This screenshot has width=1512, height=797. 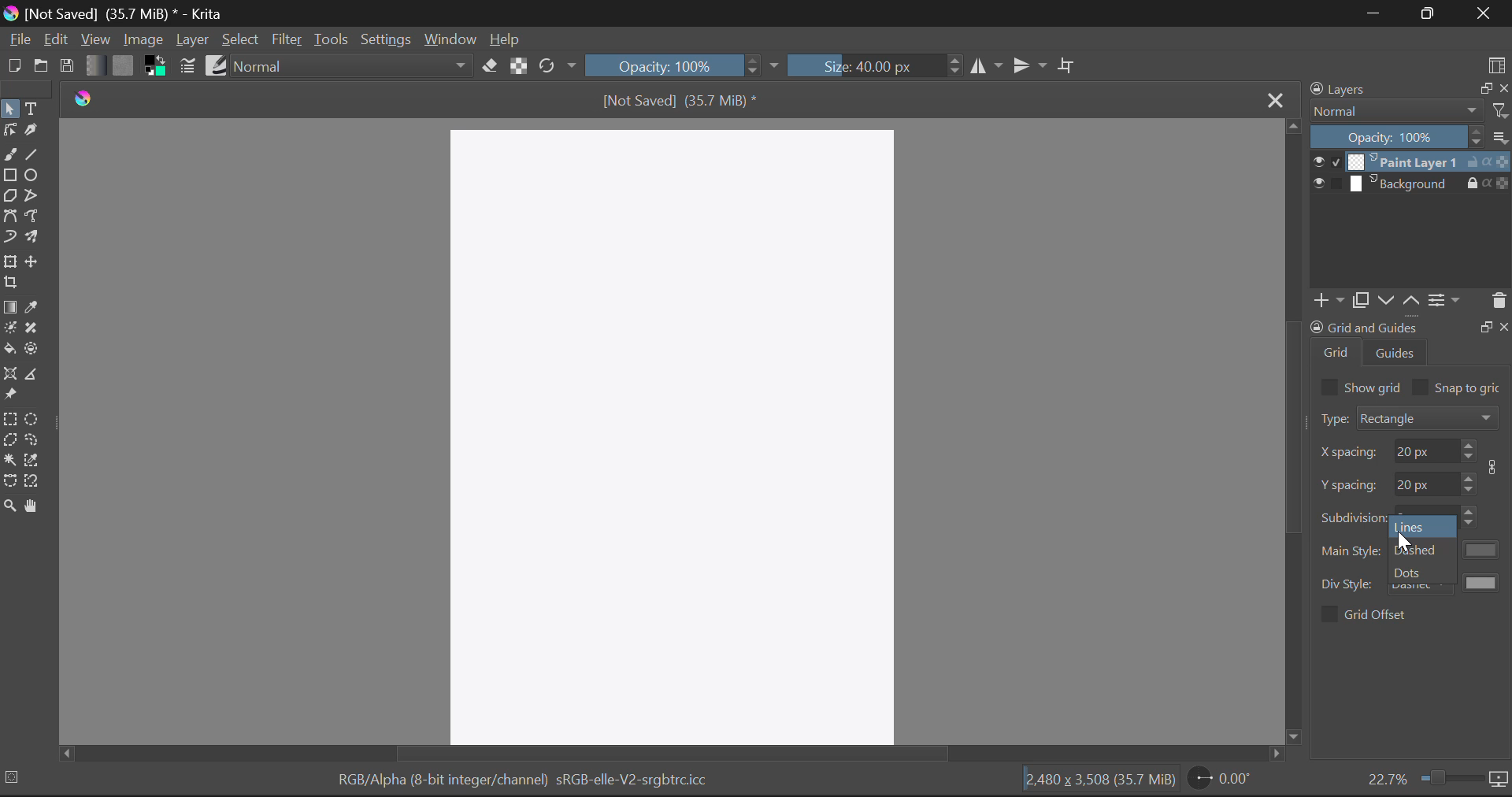 I want to click on , so click(x=1505, y=325).